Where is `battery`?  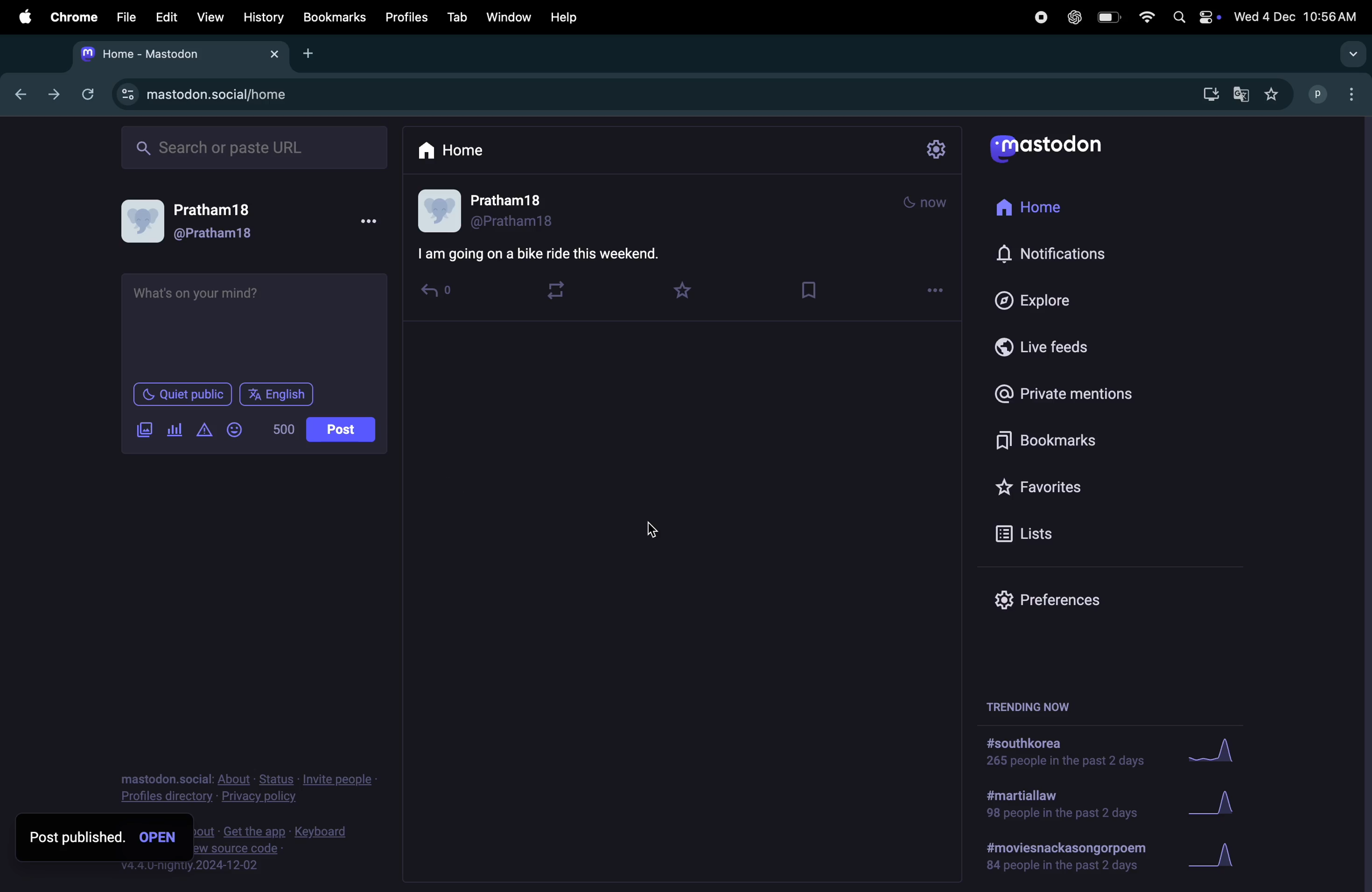 battery is located at coordinates (1105, 16).